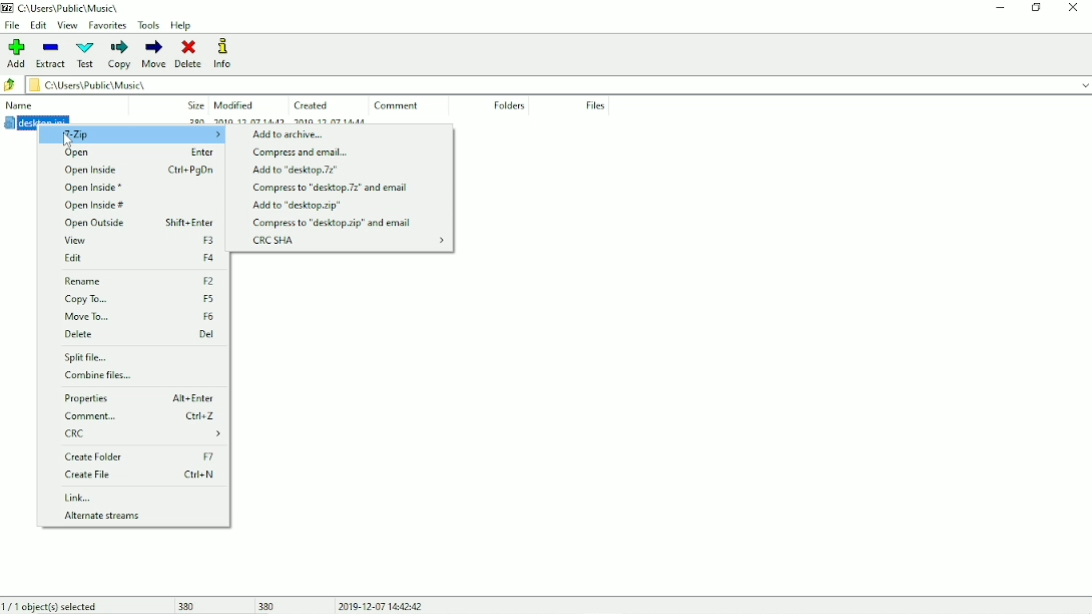 The width and height of the screenshot is (1092, 614). I want to click on Create File, so click(140, 475).